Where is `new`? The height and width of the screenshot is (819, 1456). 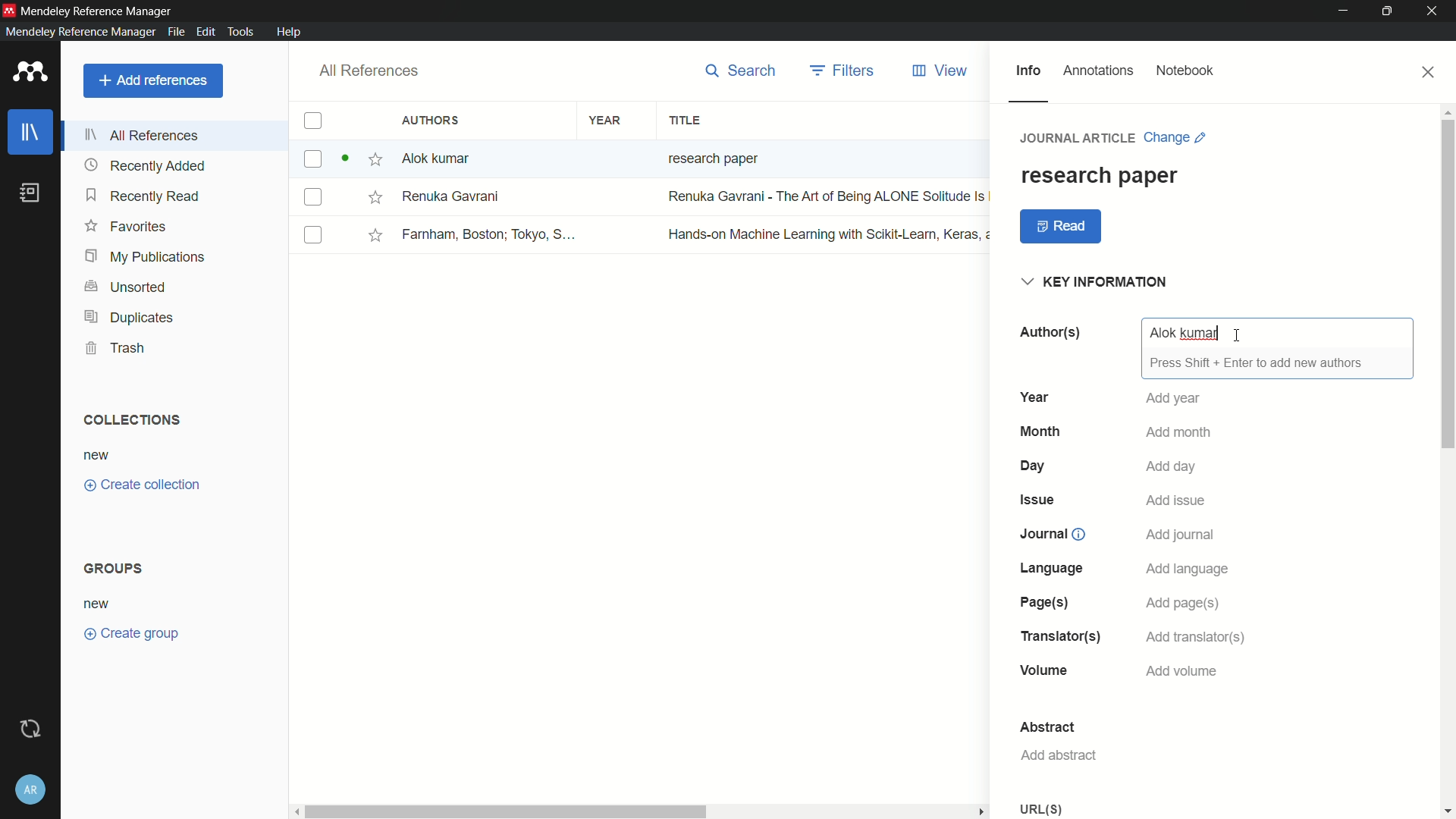
new is located at coordinates (97, 457).